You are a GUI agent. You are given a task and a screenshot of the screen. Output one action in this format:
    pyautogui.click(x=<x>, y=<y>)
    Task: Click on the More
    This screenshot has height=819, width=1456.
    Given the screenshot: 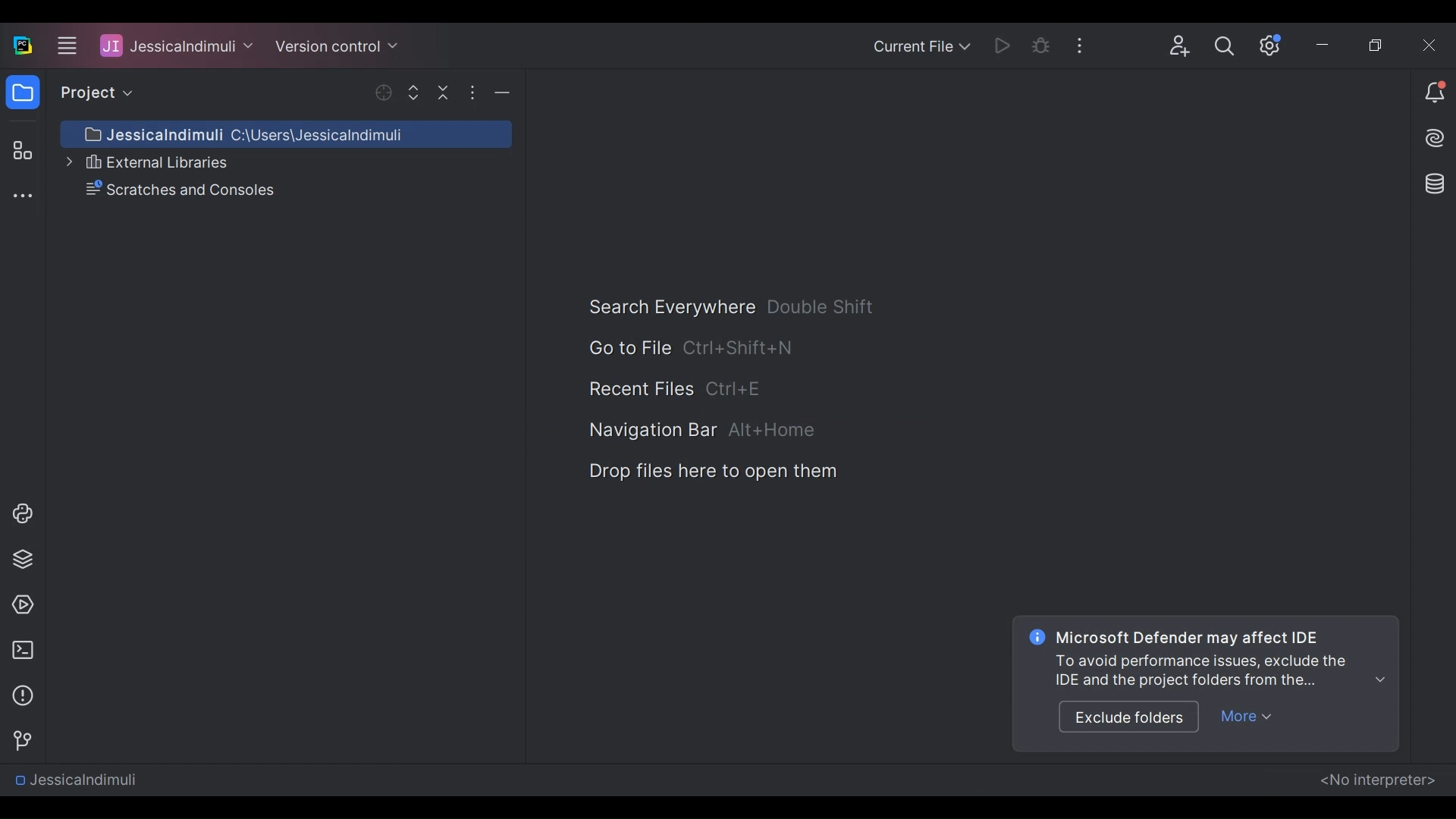 What is the action you would take?
    pyautogui.click(x=1081, y=46)
    